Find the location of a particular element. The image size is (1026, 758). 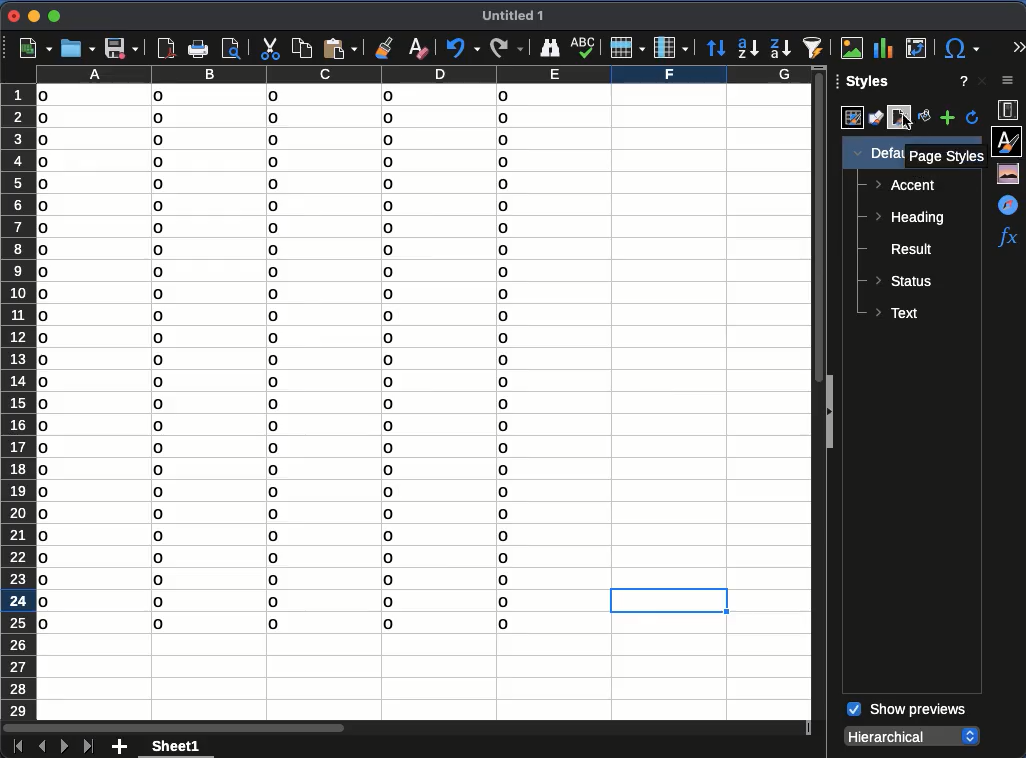

scroll is located at coordinates (1020, 494).